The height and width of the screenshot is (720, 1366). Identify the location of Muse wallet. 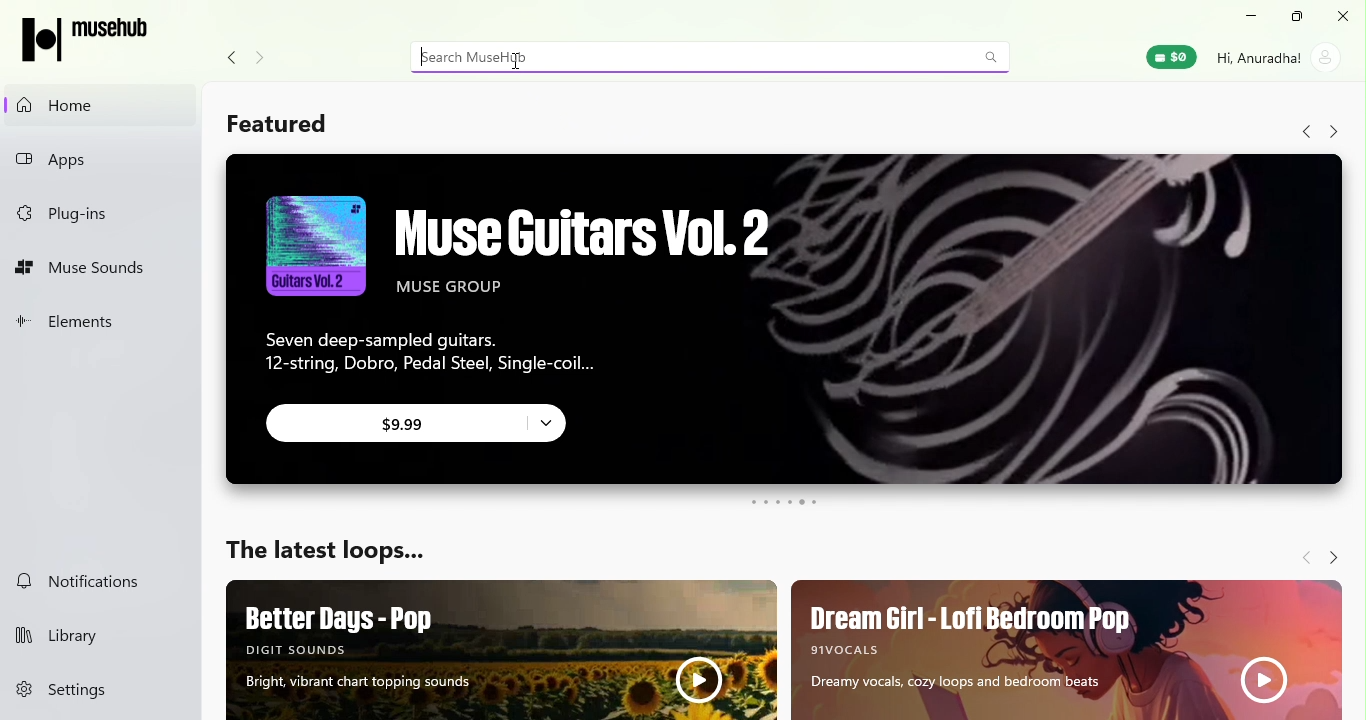
(1169, 59).